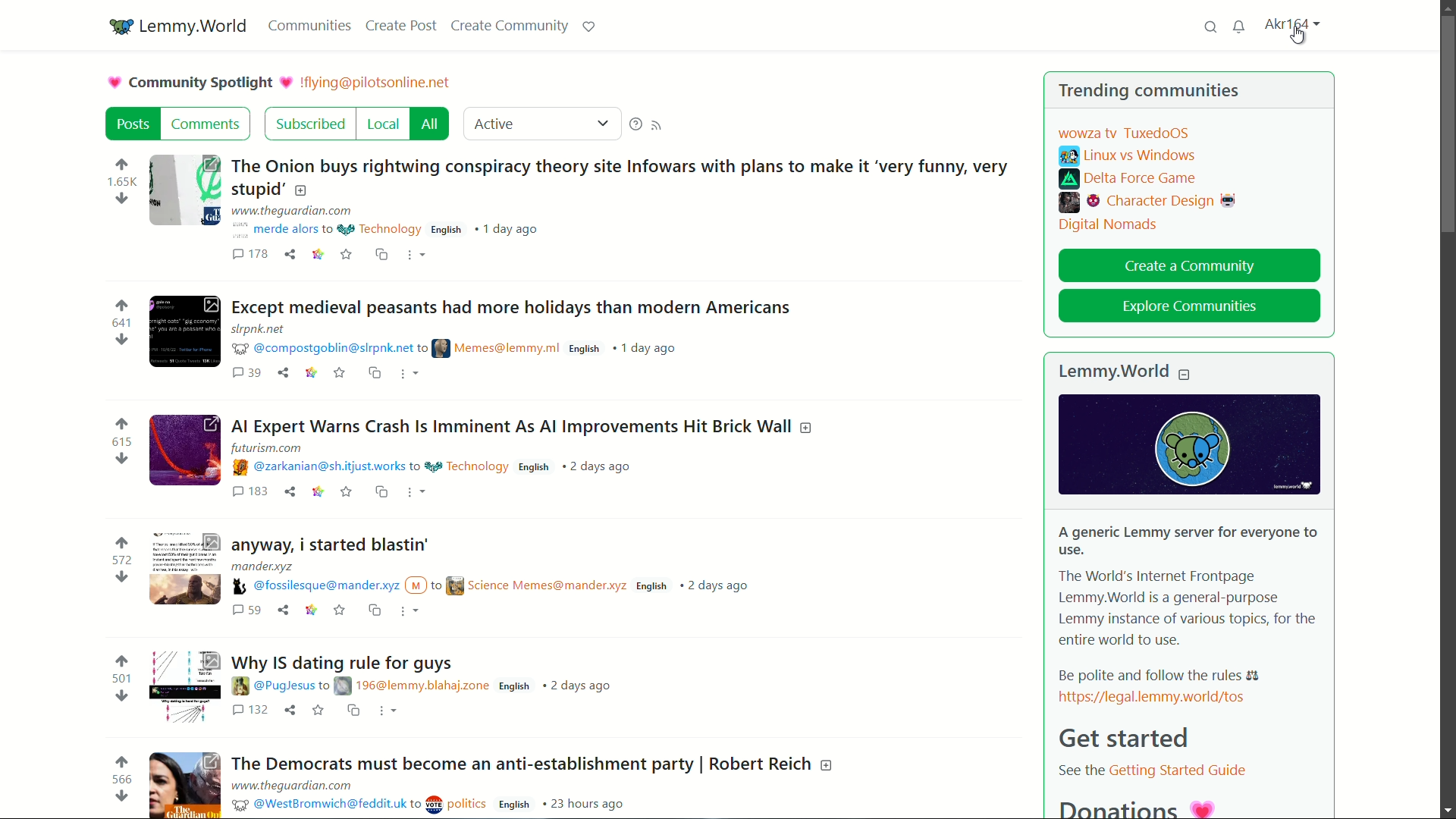 Image resolution: width=1456 pixels, height=819 pixels. What do you see at coordinates (290, 491) in the screenshot?
I see `share` at bounding box center [290, 491].